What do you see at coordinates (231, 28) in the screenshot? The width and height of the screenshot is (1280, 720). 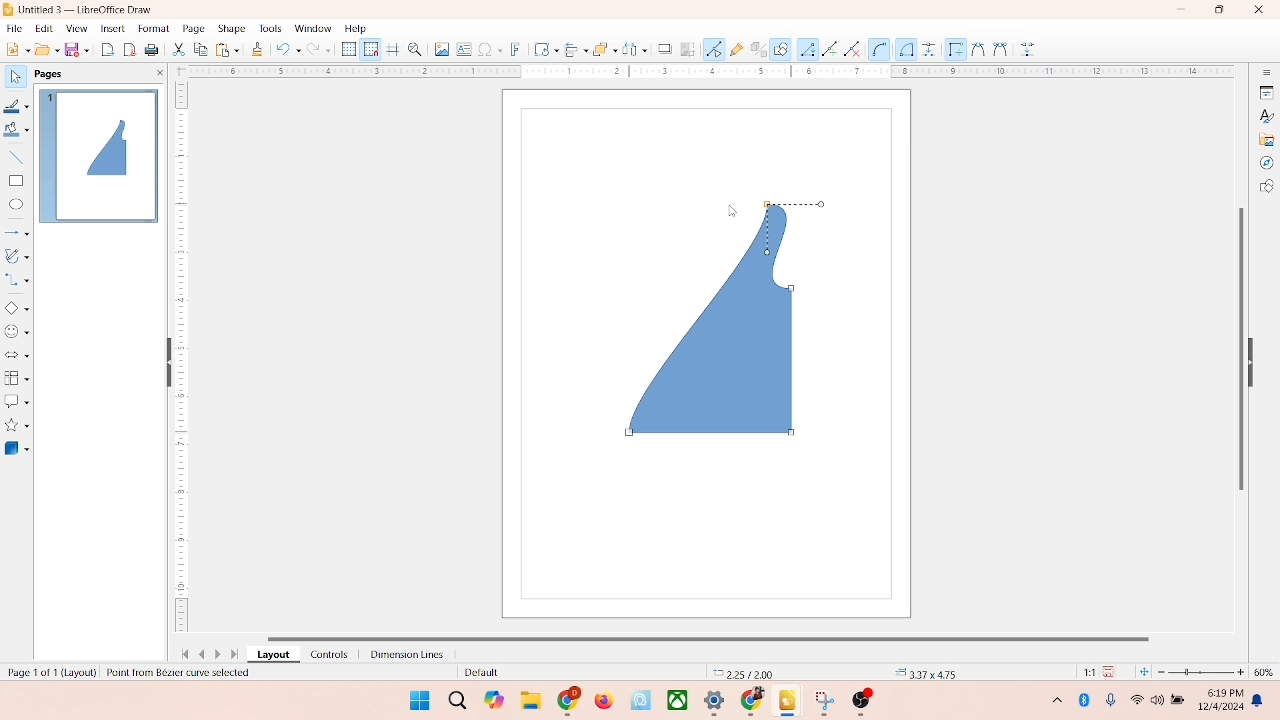 I see `shape` at bounding box center [231, 28].